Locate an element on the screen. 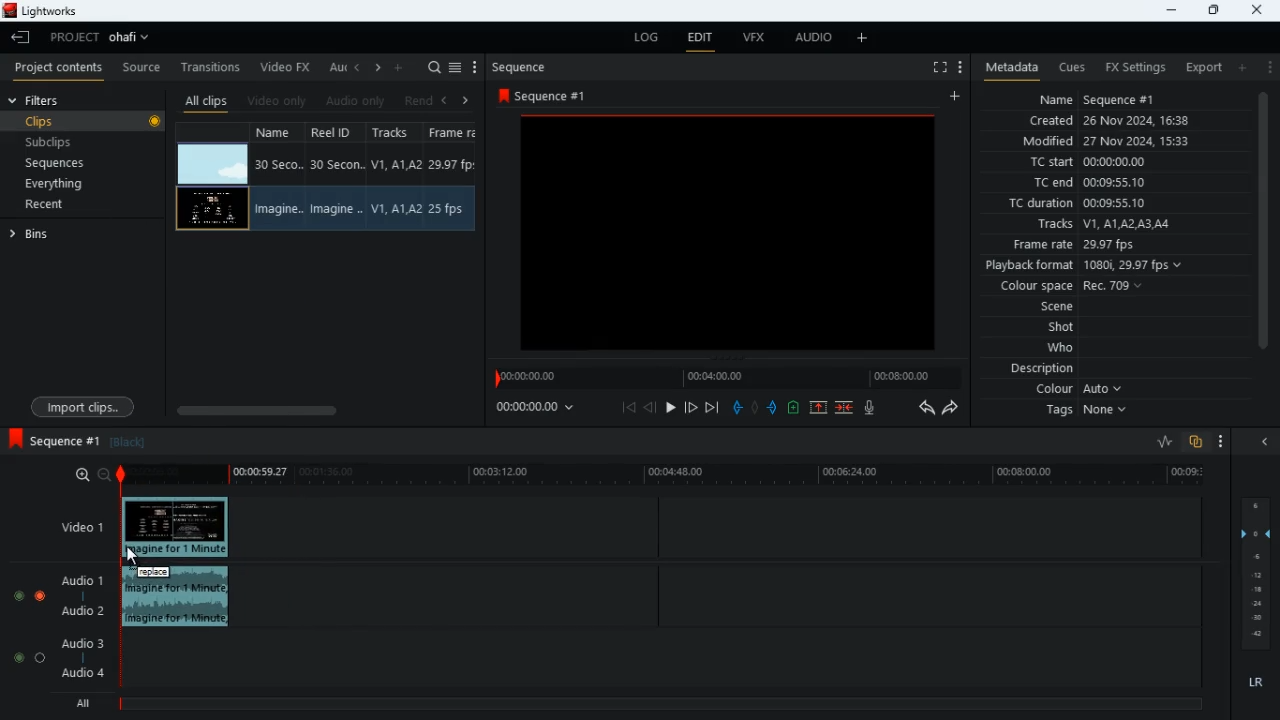  fps is located at coordinates (454, 134).